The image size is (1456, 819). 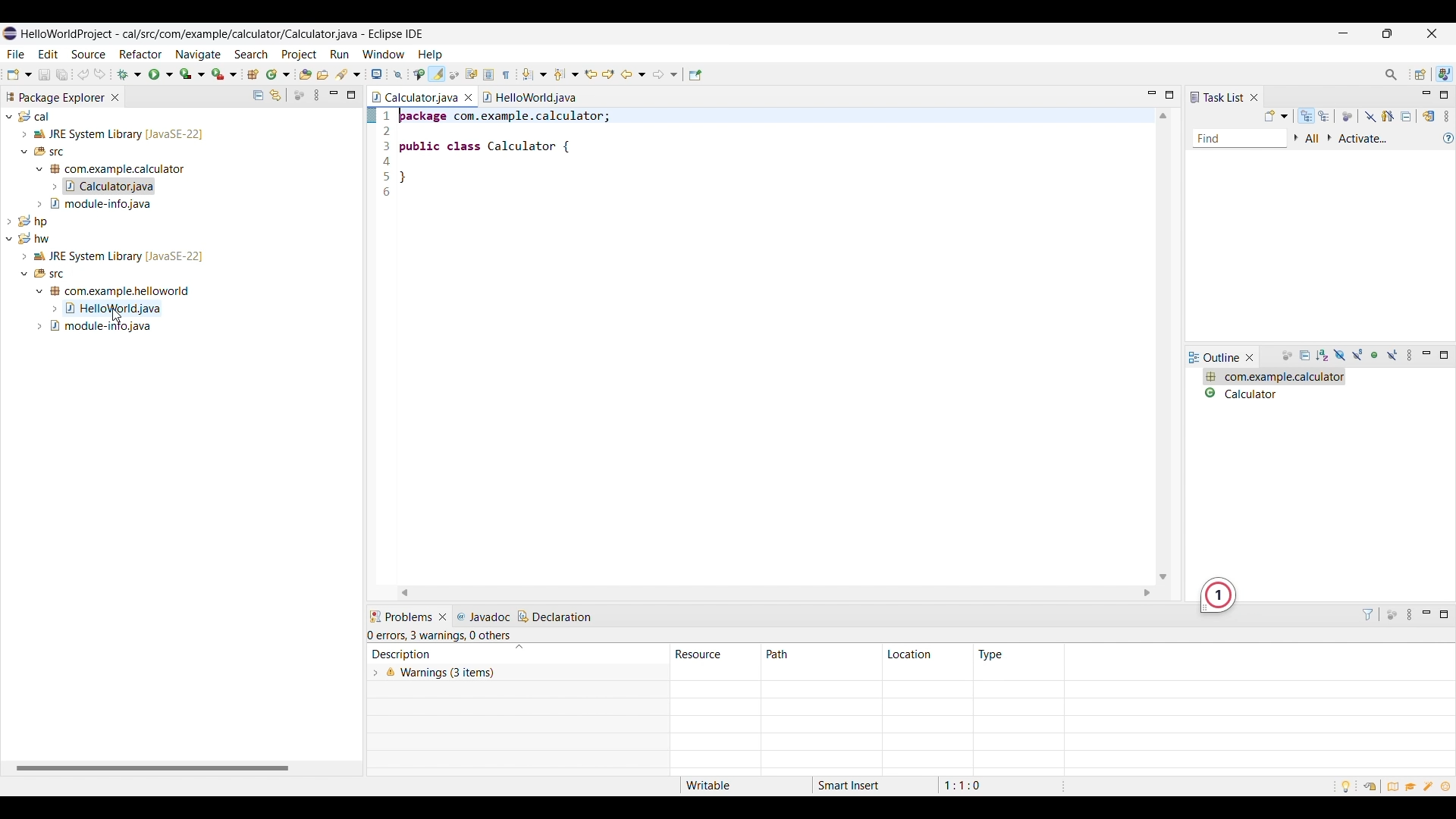 What do you see at coordinates (152, 769) in the screenshot?
I see `Horizontal slide bar` at bounding box center [152, 769].